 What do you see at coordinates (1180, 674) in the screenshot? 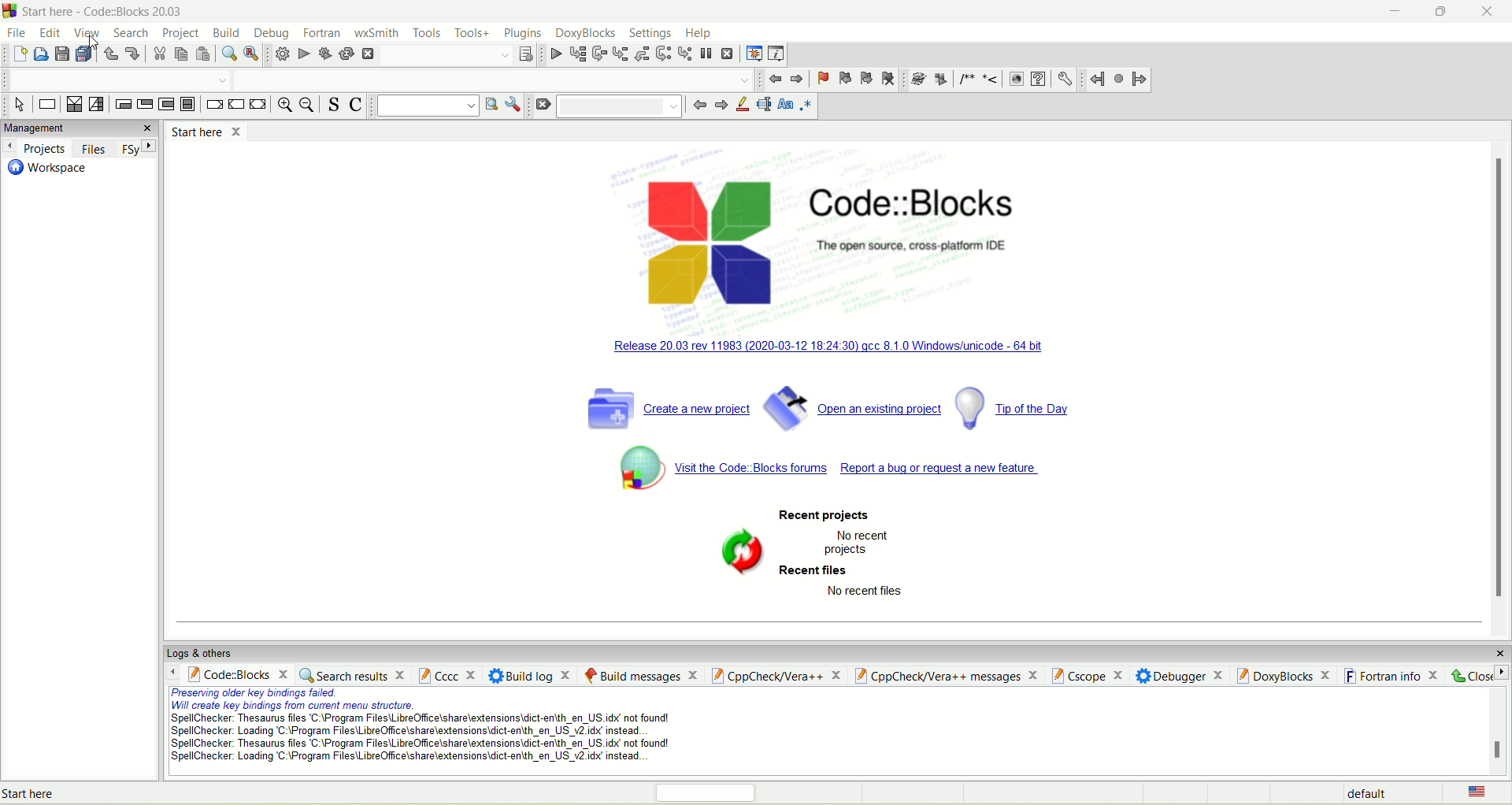
I see `debugger` at bounding box center [1180, 674].